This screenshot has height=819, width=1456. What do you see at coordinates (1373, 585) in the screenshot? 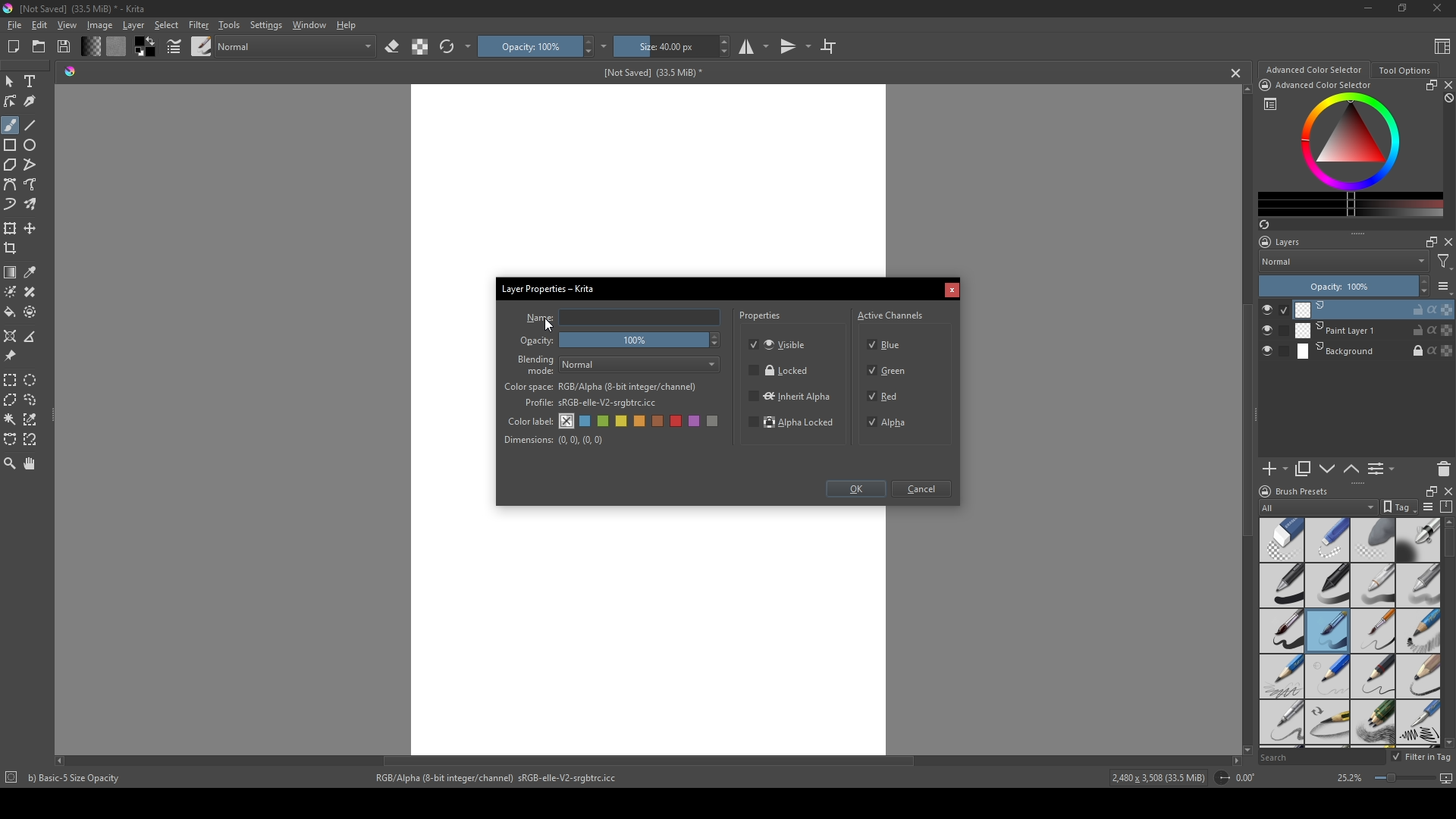
I see `white pen` at bounding box center [1373, 585].